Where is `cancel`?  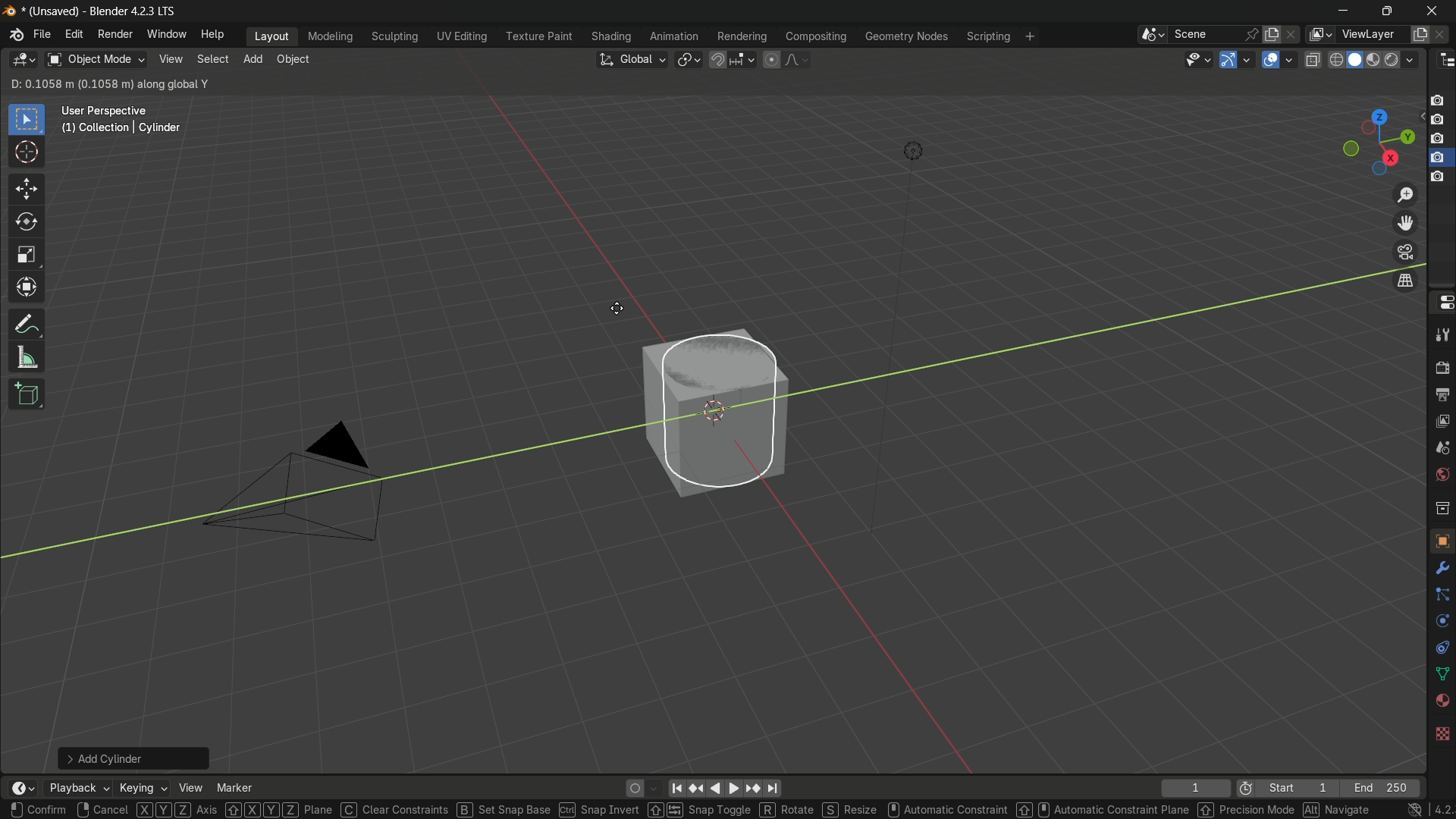
cancel is located at coordinates (101, 810).